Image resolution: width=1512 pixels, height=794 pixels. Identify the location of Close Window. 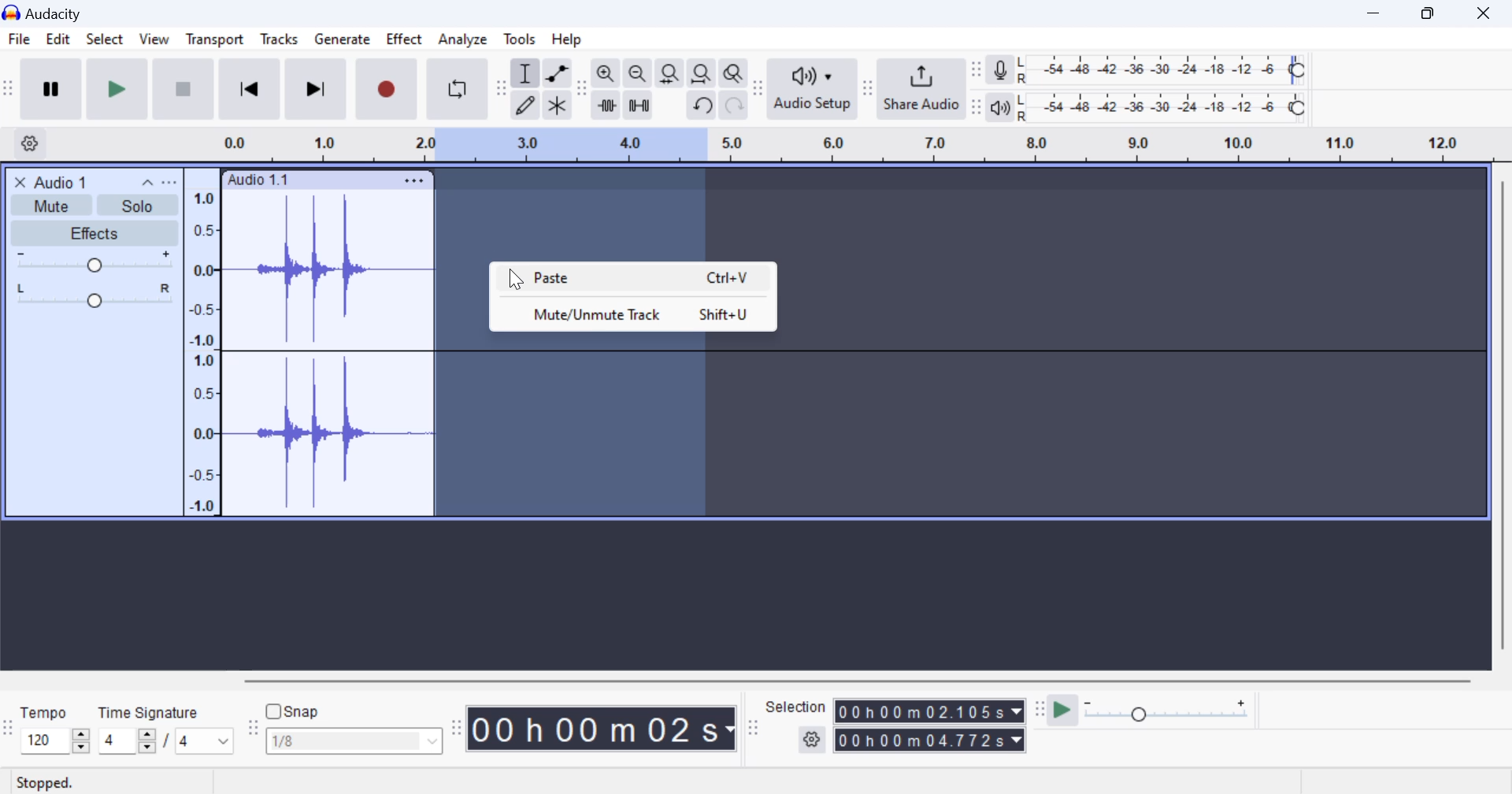
(1488, 11).